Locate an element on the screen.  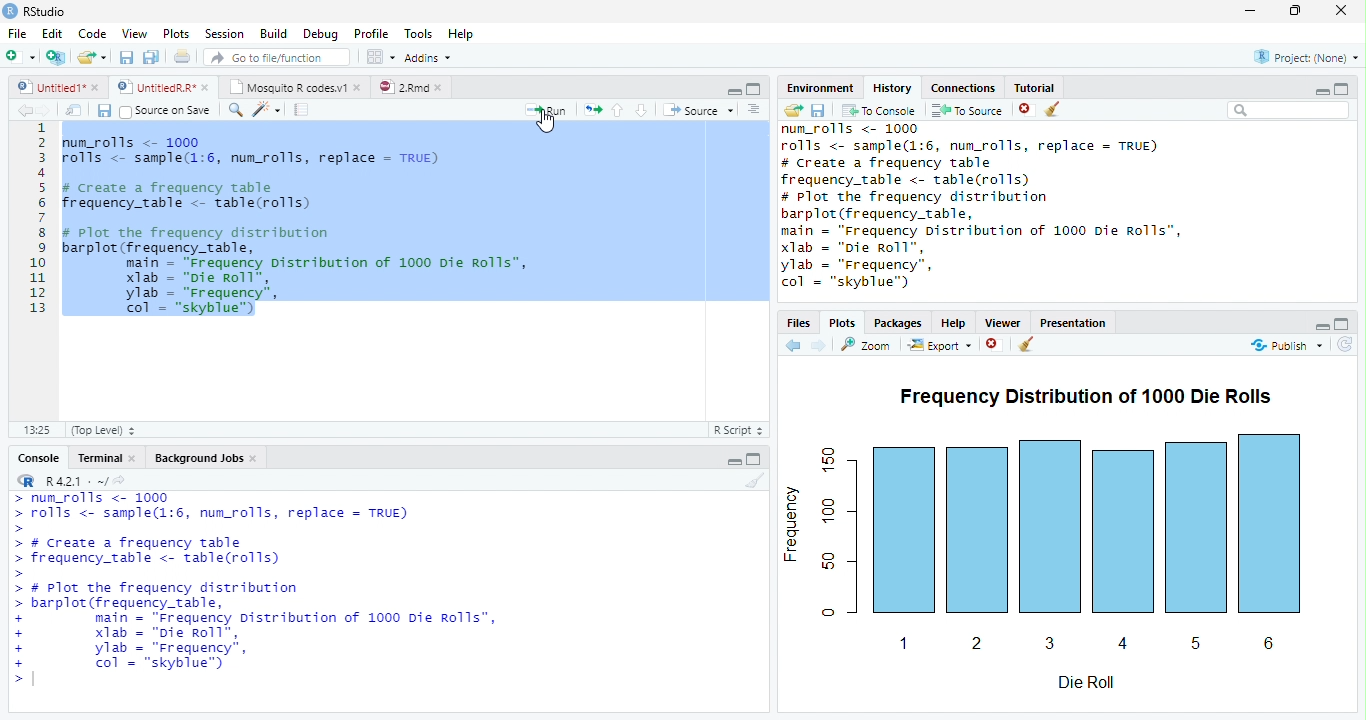
0 is located at coordinates (827, 611).